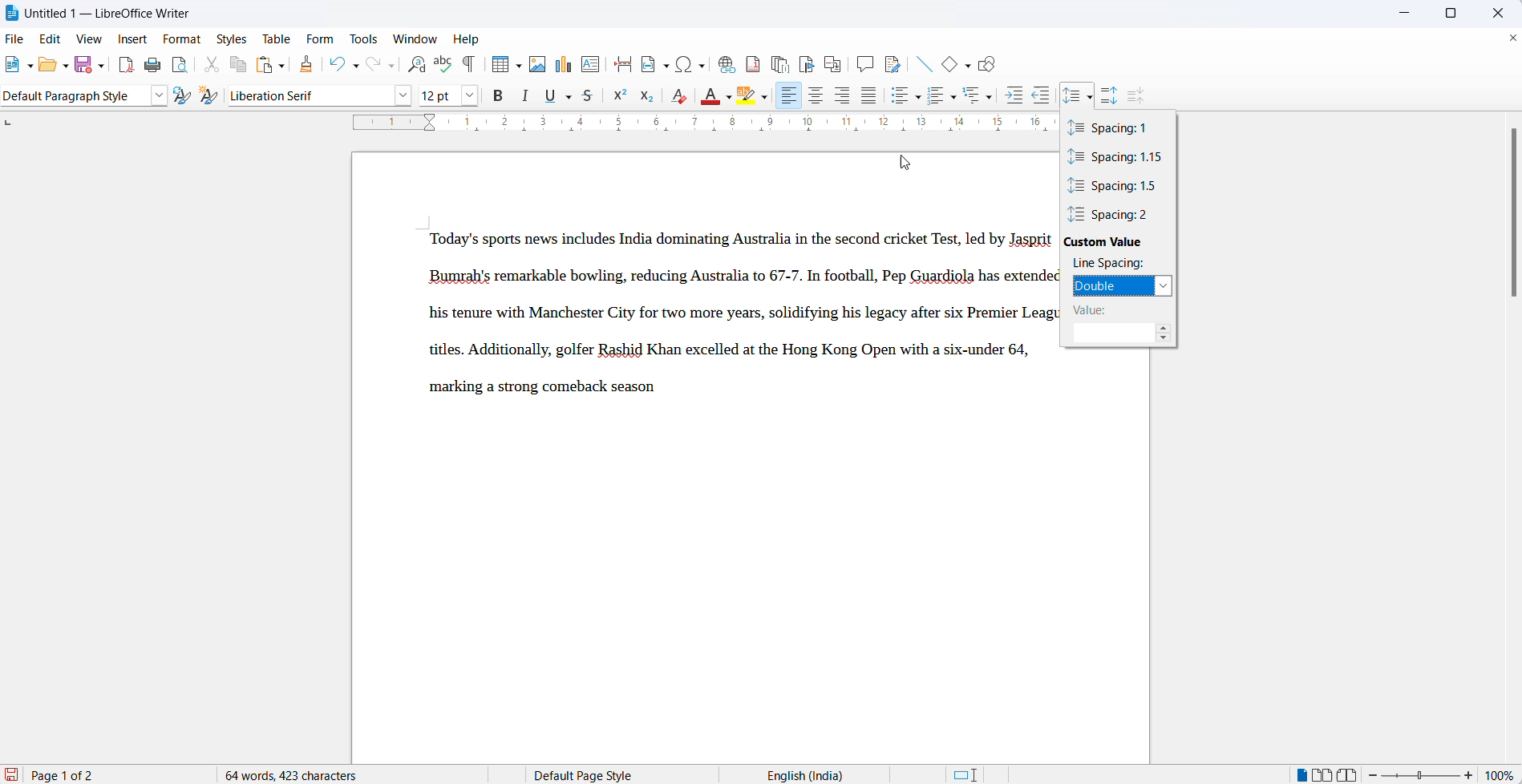 The height and width of the screenshot is (784, 1522). Describe the element at coordinates (933, 94) in the screenshot. I see `toggle ordered list` at that location.